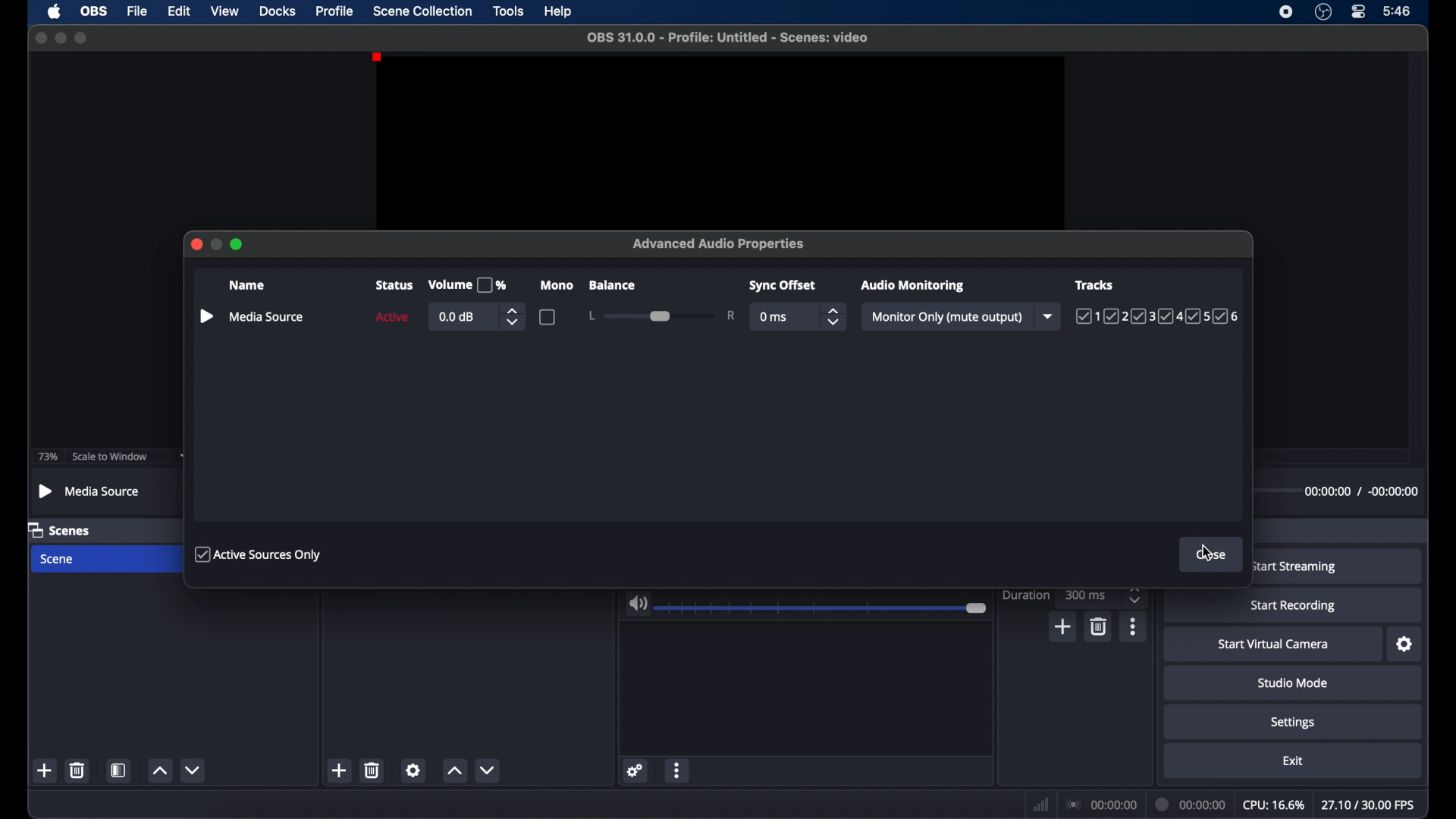 The height and width of the screenshot is (819, 1456). I want to click on sync offset, so click(784, 286).